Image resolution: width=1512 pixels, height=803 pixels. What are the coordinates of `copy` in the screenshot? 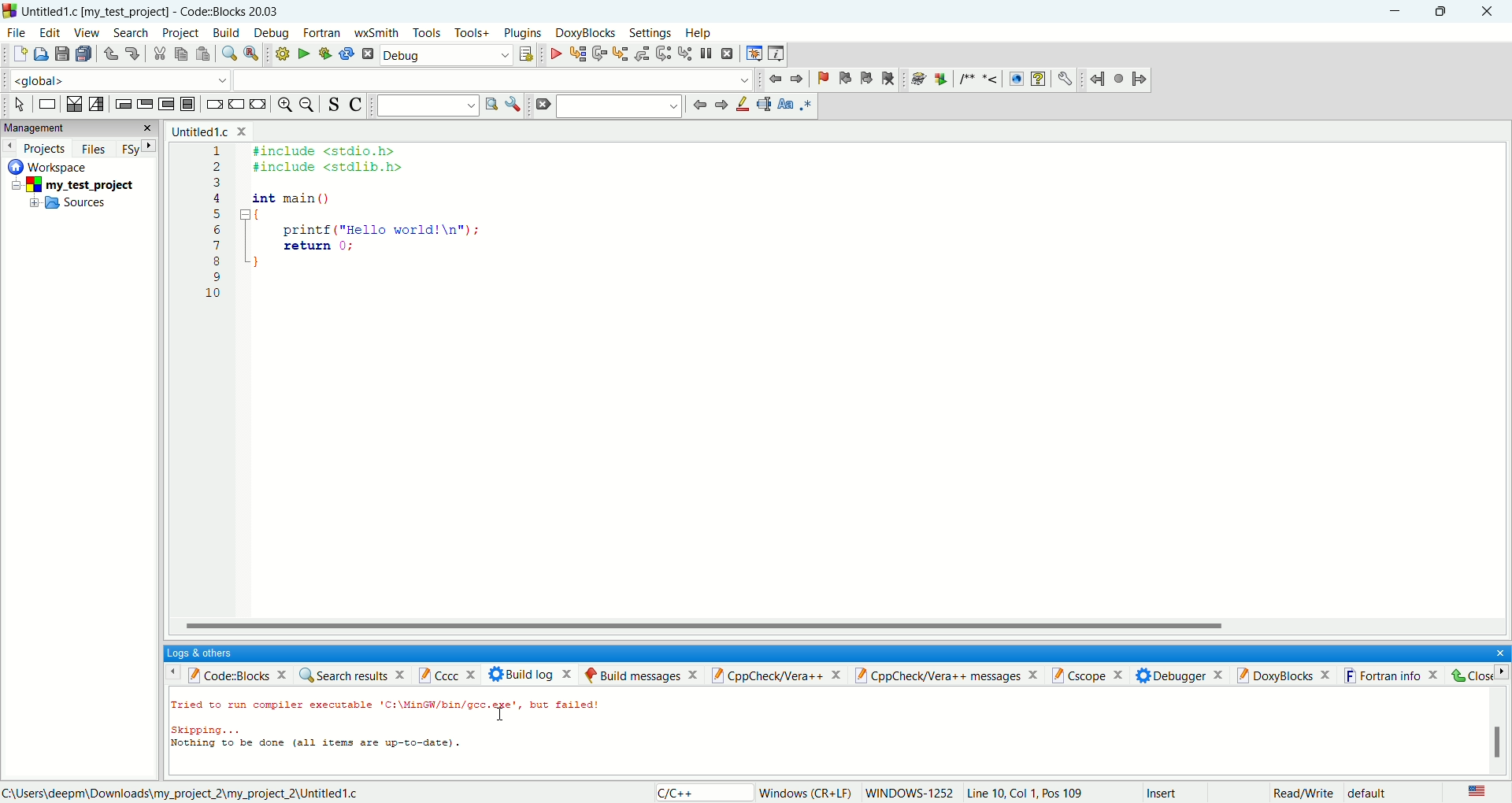 It's located at (181, 55).